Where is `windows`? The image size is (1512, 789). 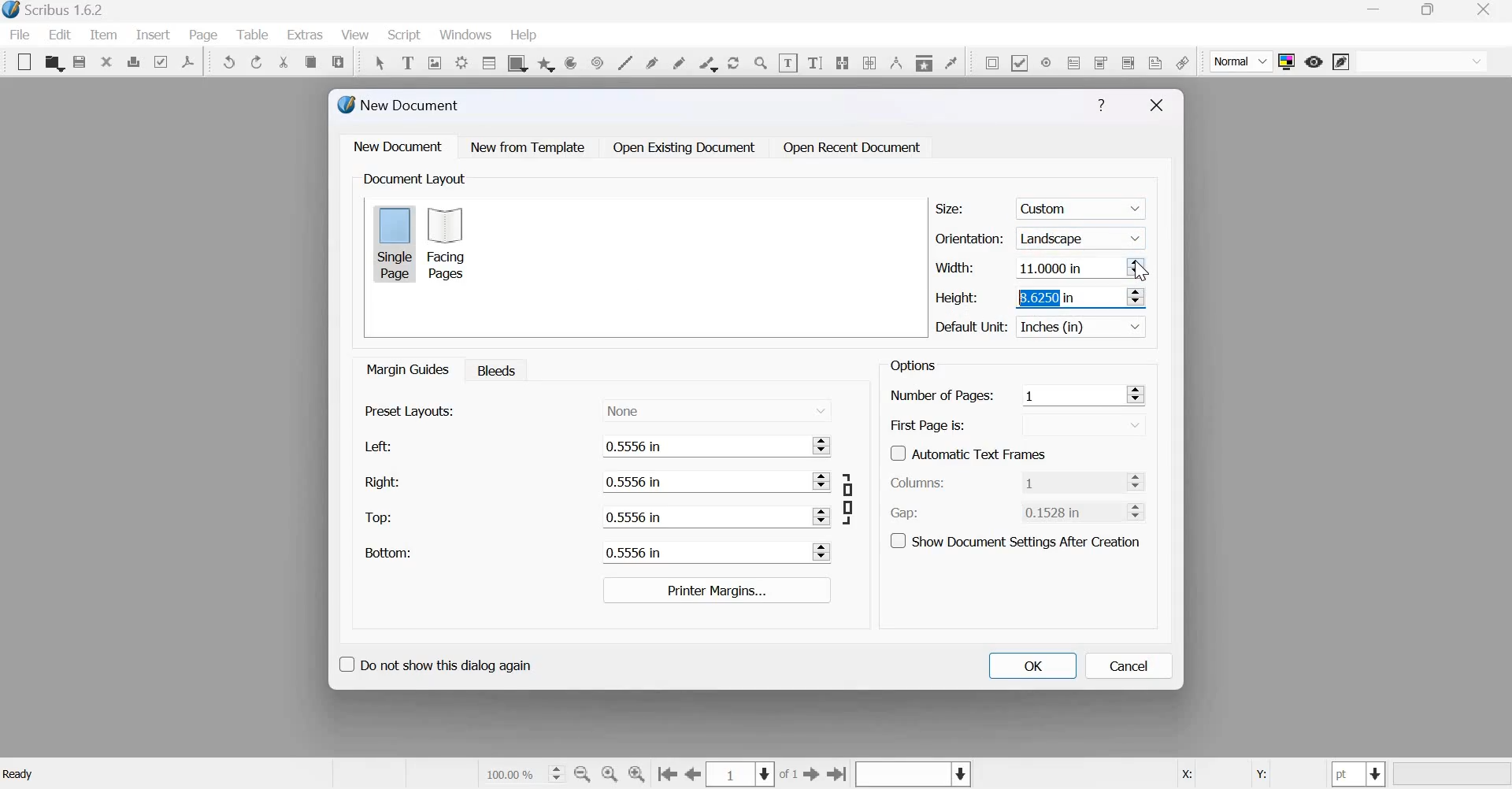 windows is located at coordinates (465, 36).